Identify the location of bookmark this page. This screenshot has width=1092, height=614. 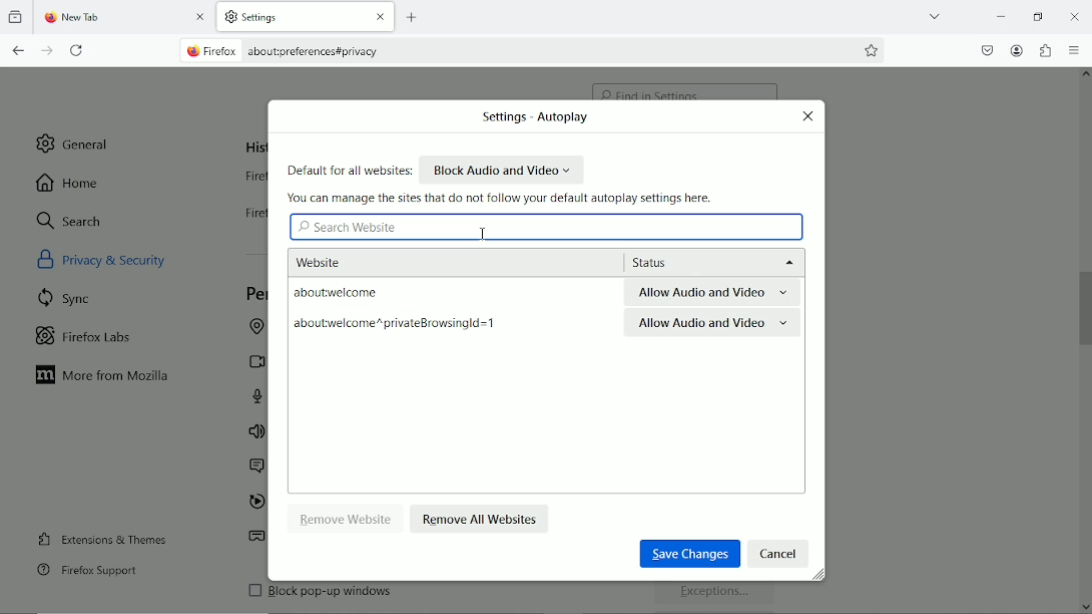
(872, 50).